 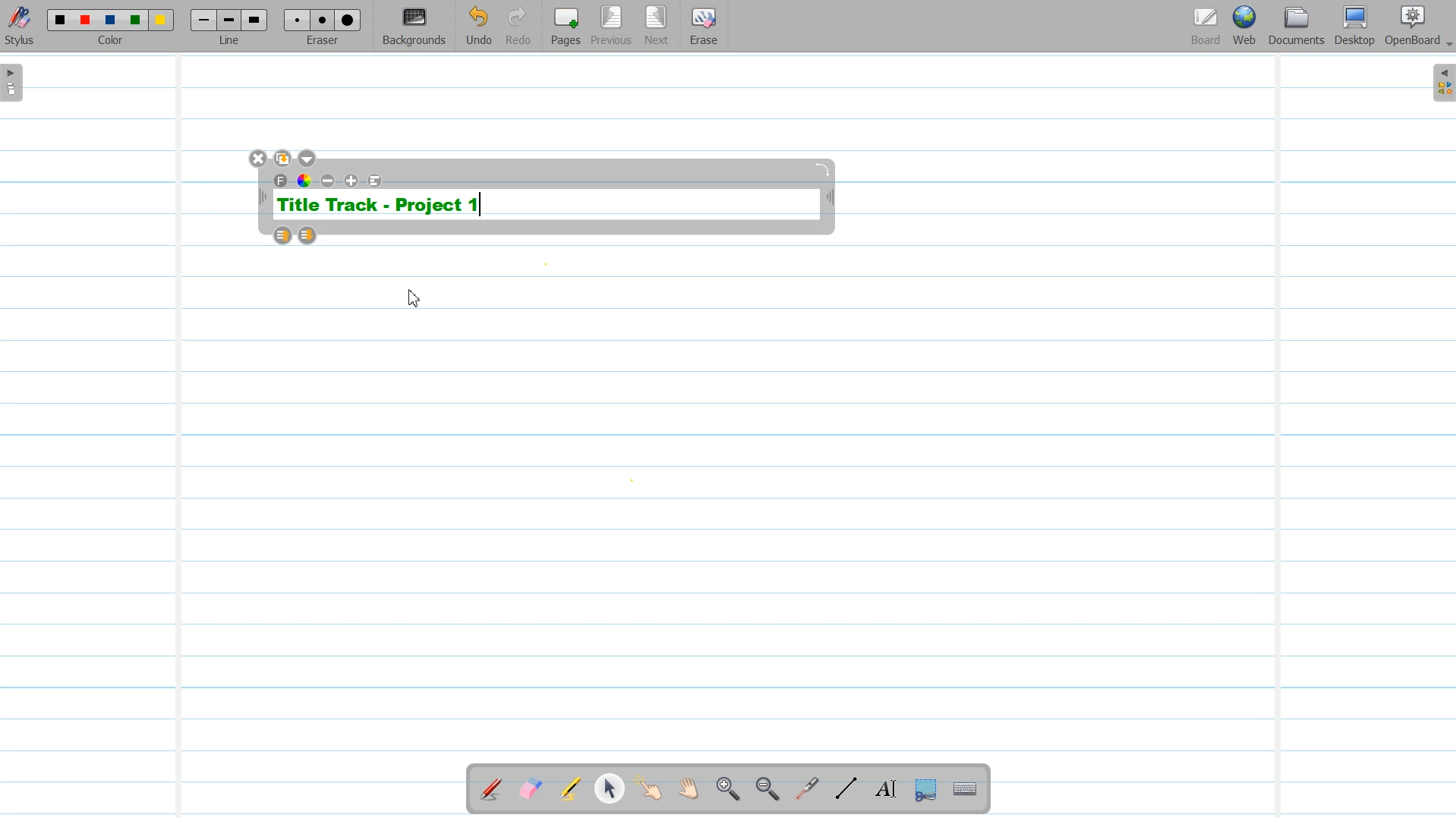 I want to click on Web, so click(x=1246, y=27).